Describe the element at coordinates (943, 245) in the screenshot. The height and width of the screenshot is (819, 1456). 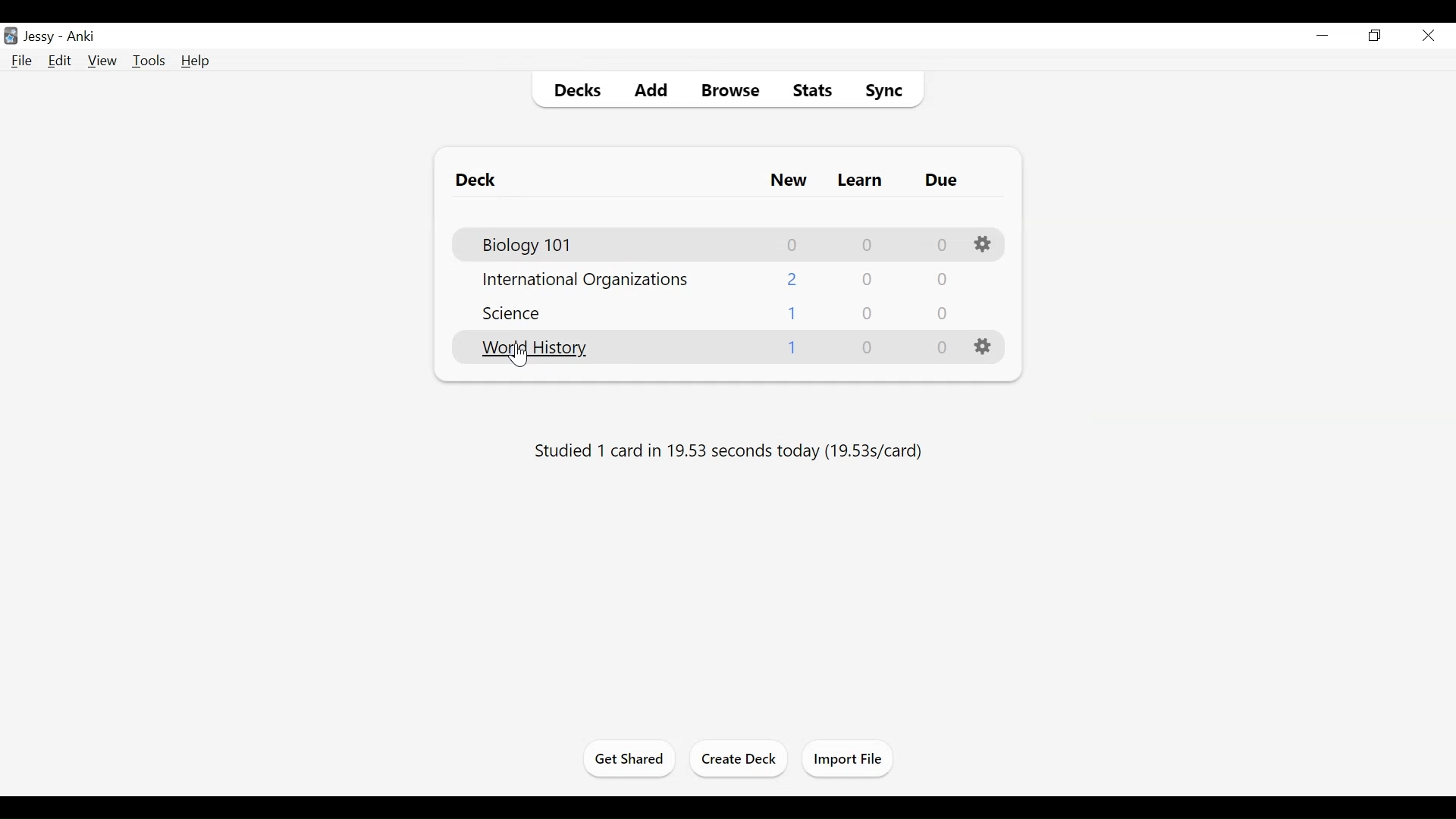
I see `Due Cards Count` at that location.